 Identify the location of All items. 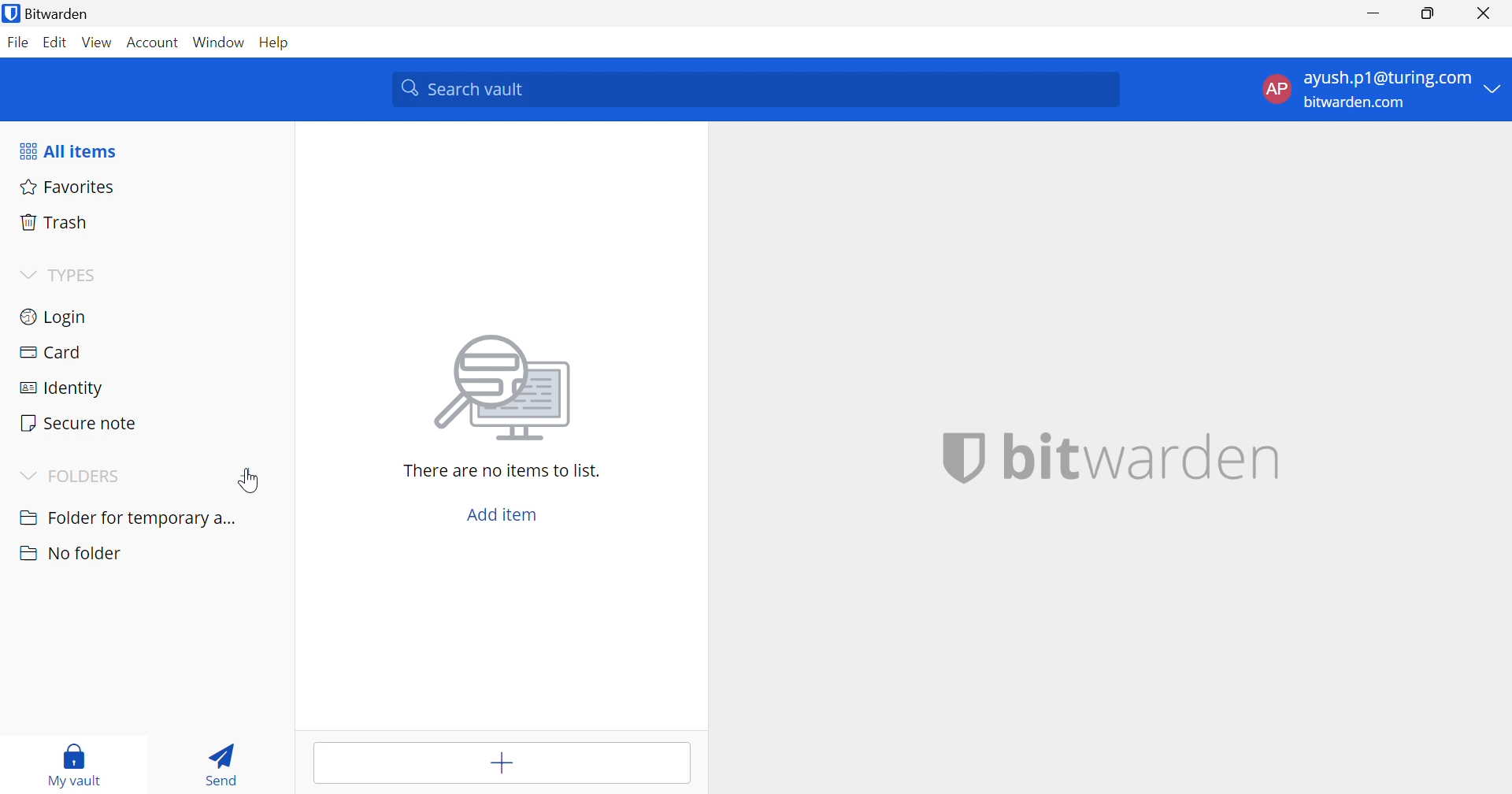
(68, 151).